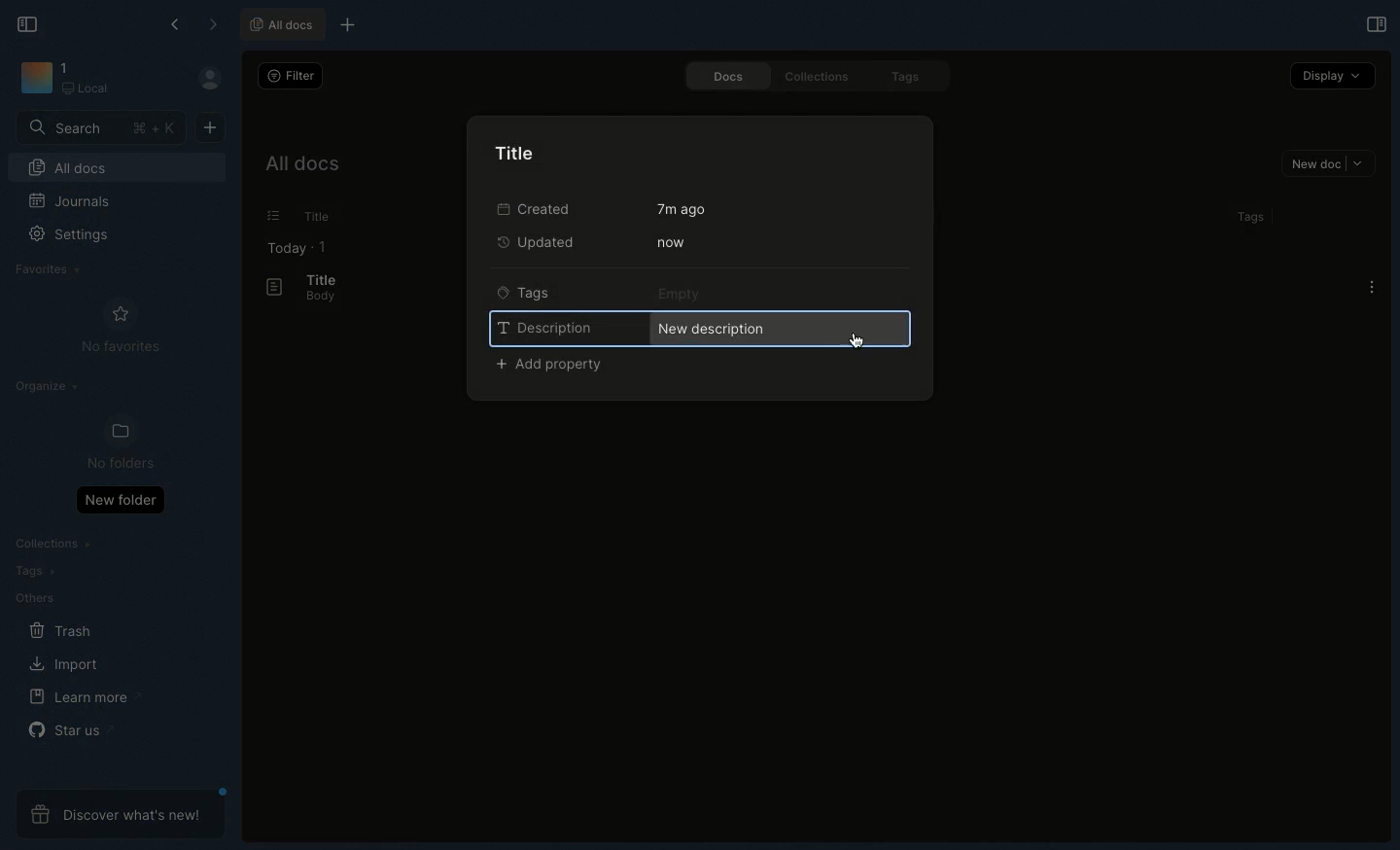 This screenshot has height=850, width=1400. What do you see at coordinates (1328, 165) in the screenshot?
I see `New doc` at bounding box center [1328, 165].